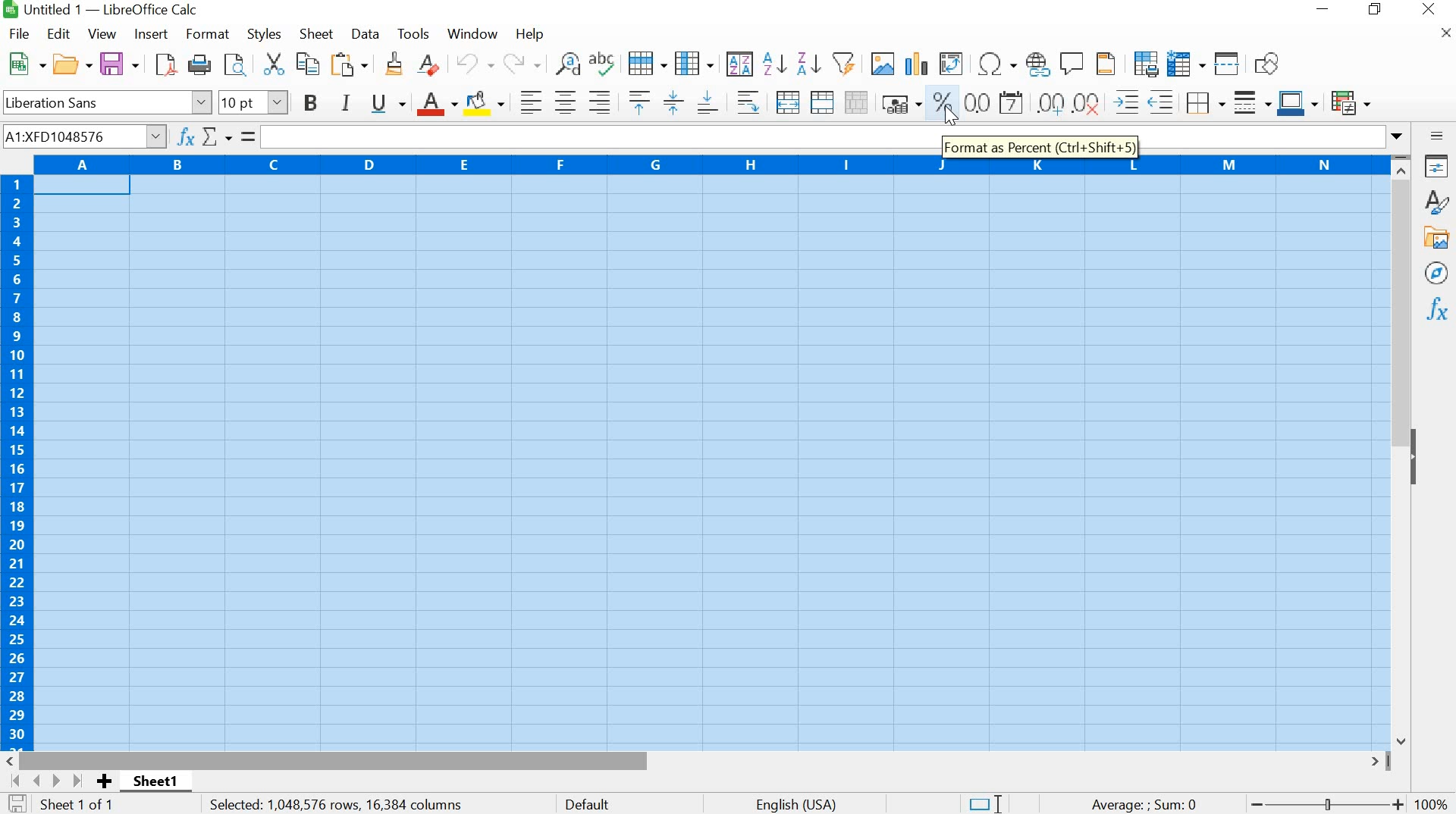  What do you see at coordinates (217, 137) in the screenshot?
I see `Select Function` at bounding box center [217, 137].